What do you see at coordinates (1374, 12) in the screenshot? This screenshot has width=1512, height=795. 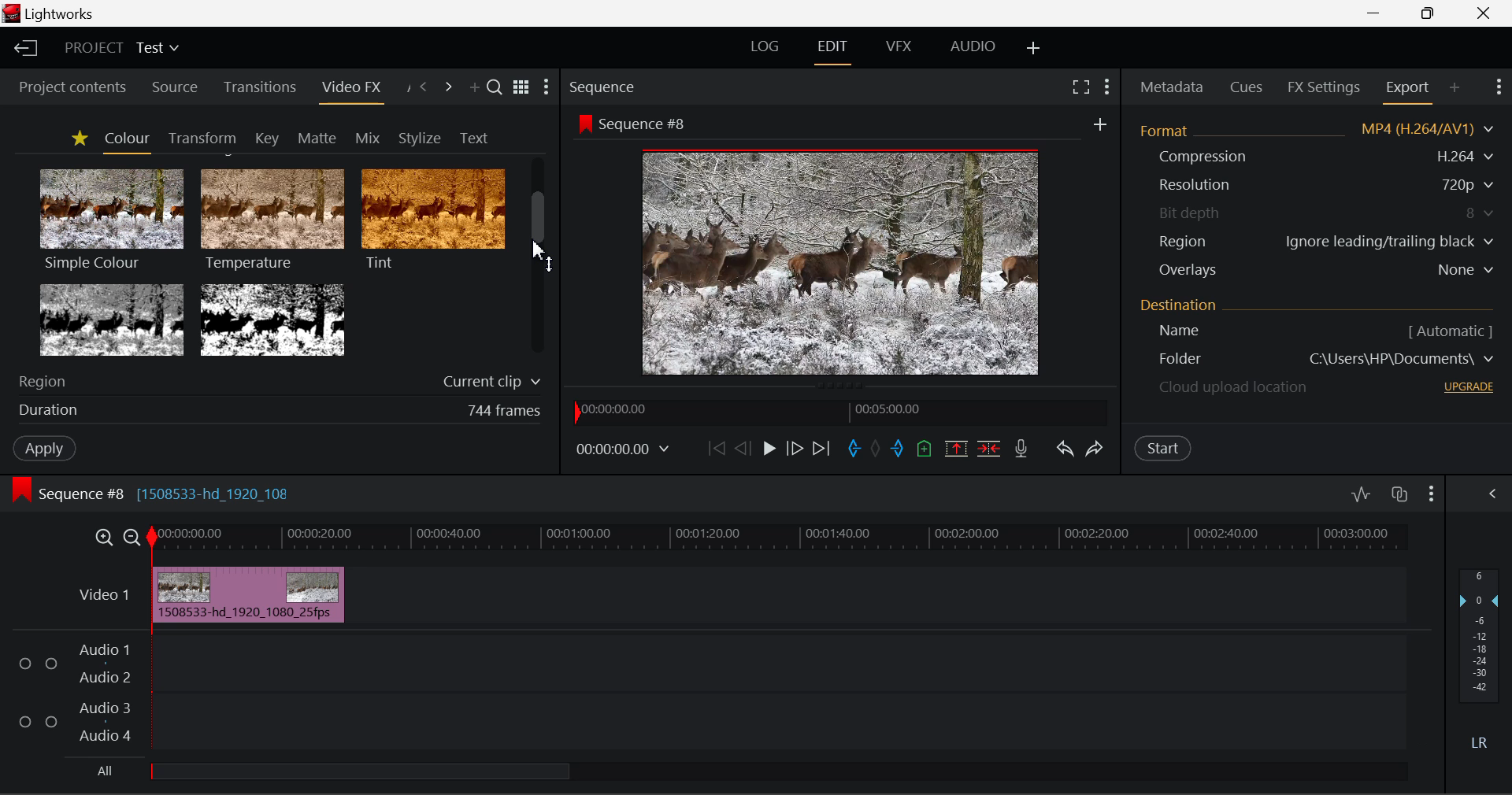 I see `Restore Down` at bounding box center [1374, 12].